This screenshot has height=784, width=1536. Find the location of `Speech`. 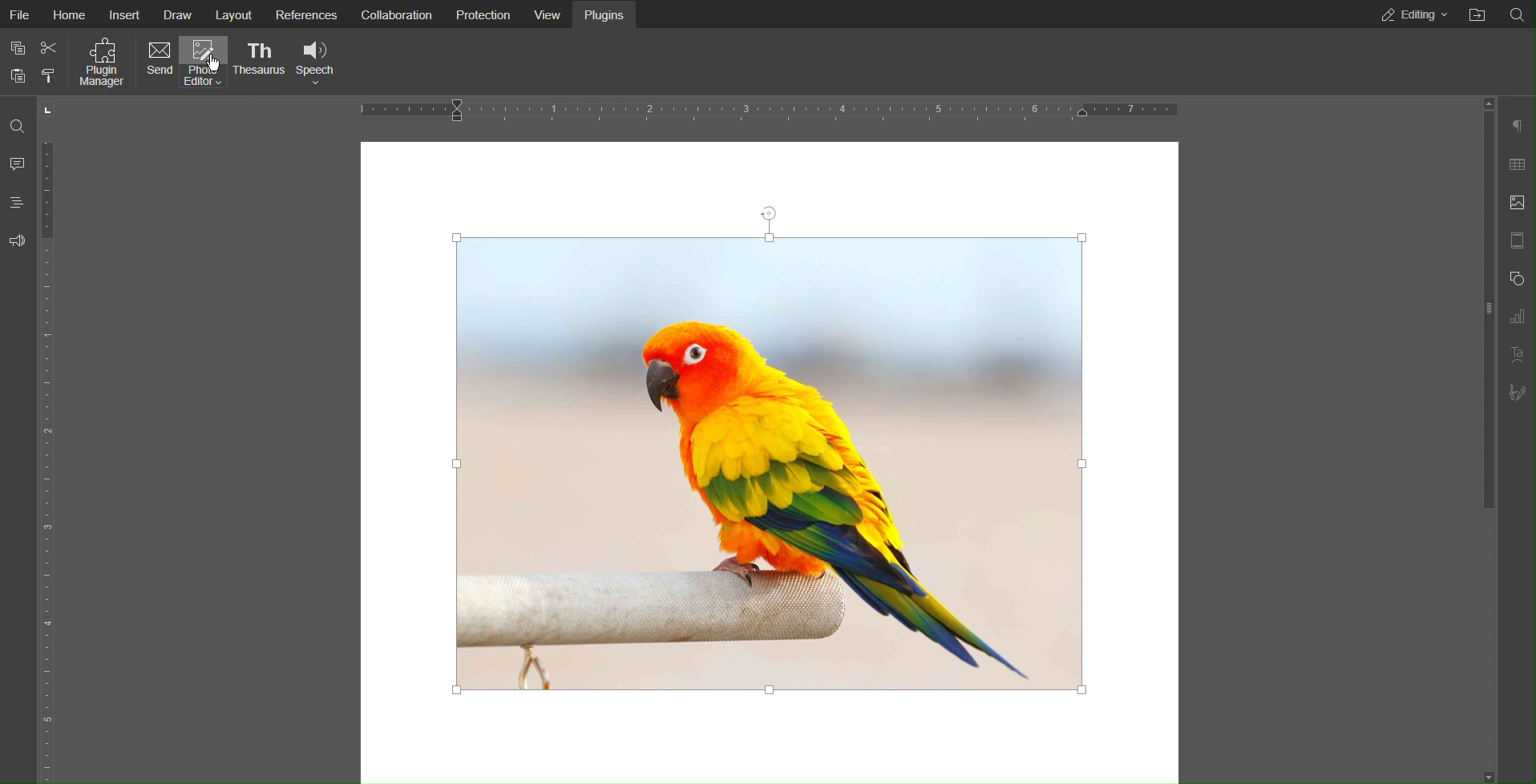

Speech is located at coordinates (317, 61).